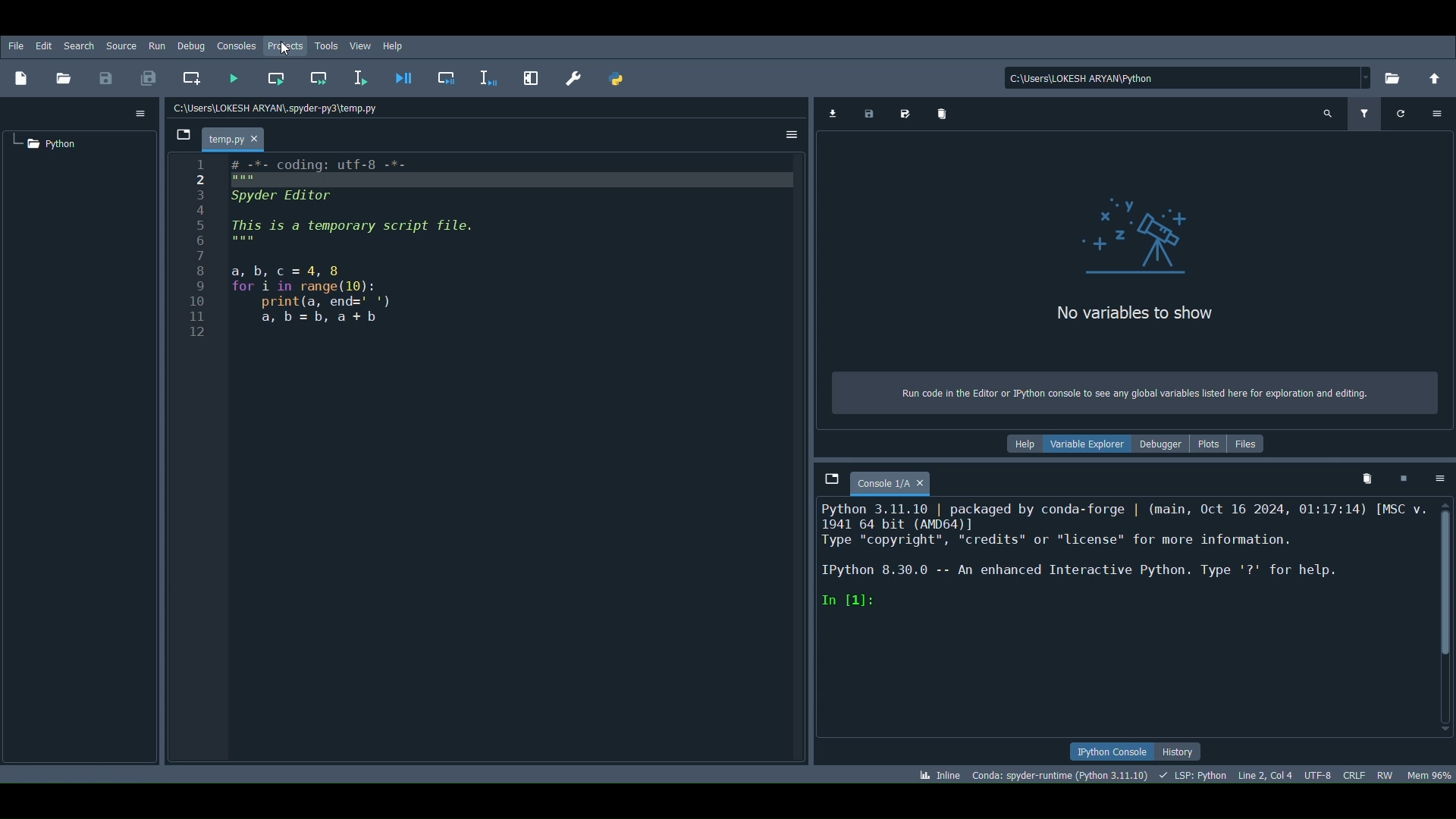  I want to click on Search, so click(79, 45).